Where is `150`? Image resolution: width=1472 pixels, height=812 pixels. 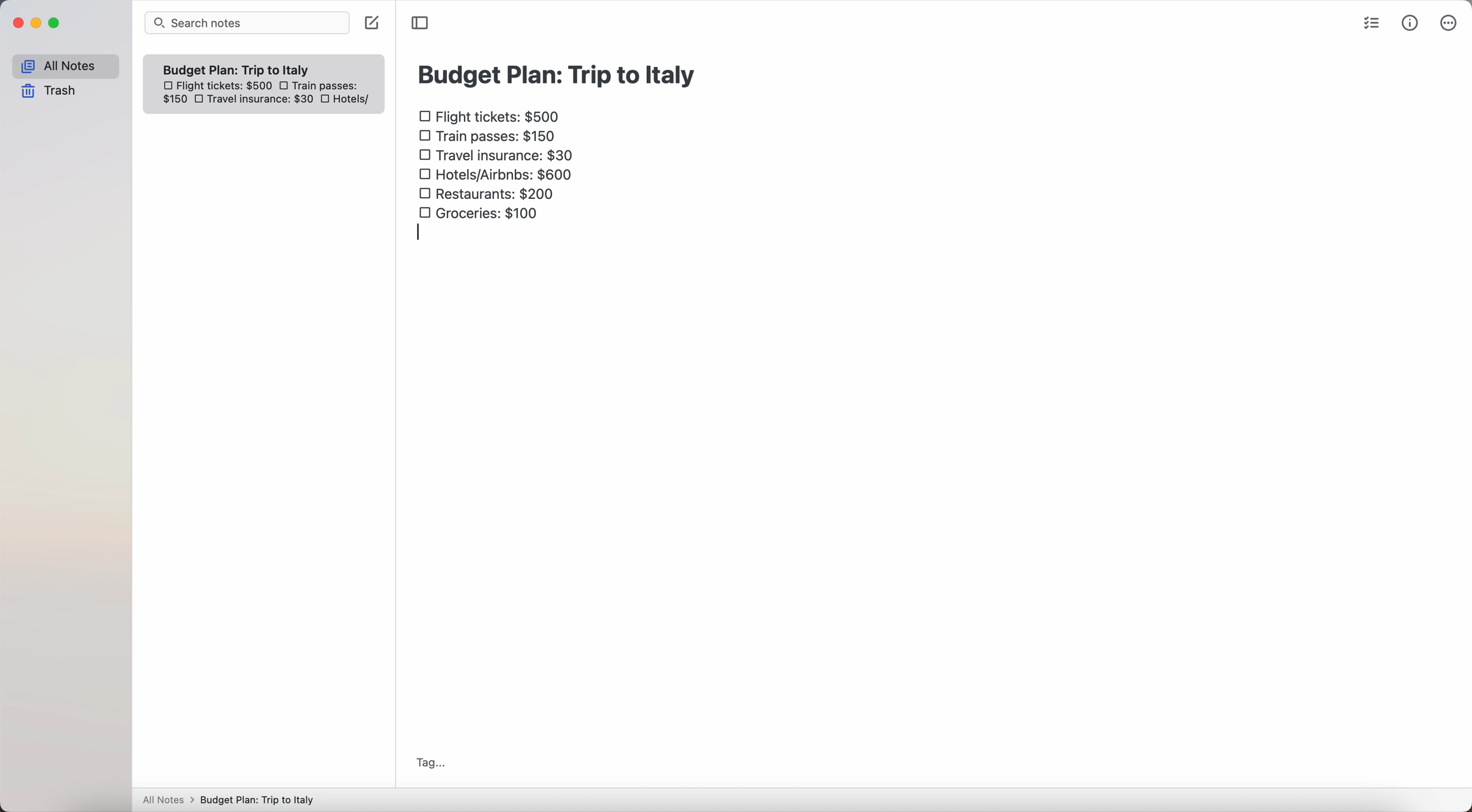
150 is located at coordinates (174, 101).